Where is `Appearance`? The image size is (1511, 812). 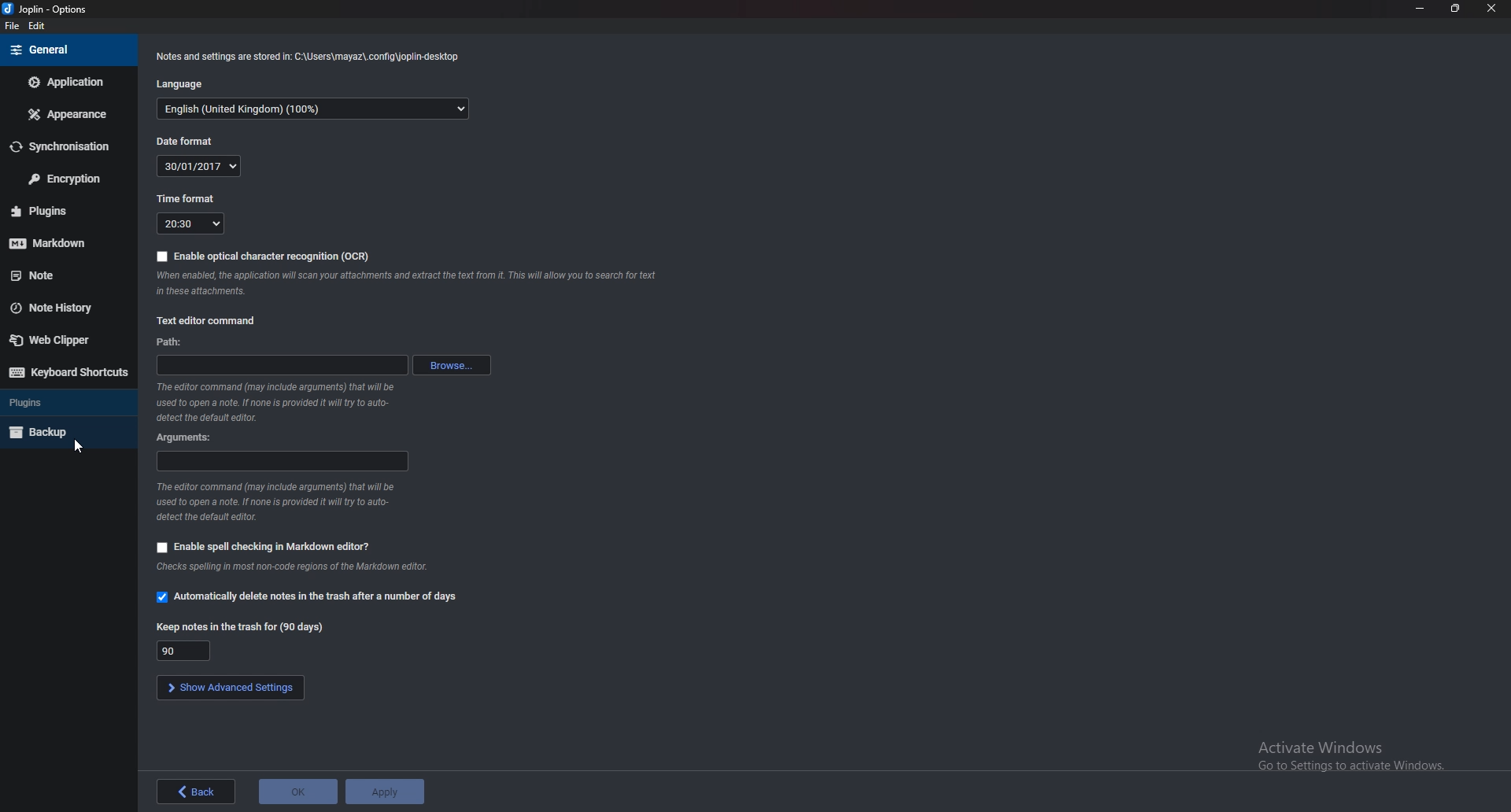
Appearance is located at coordinates (68, 116).